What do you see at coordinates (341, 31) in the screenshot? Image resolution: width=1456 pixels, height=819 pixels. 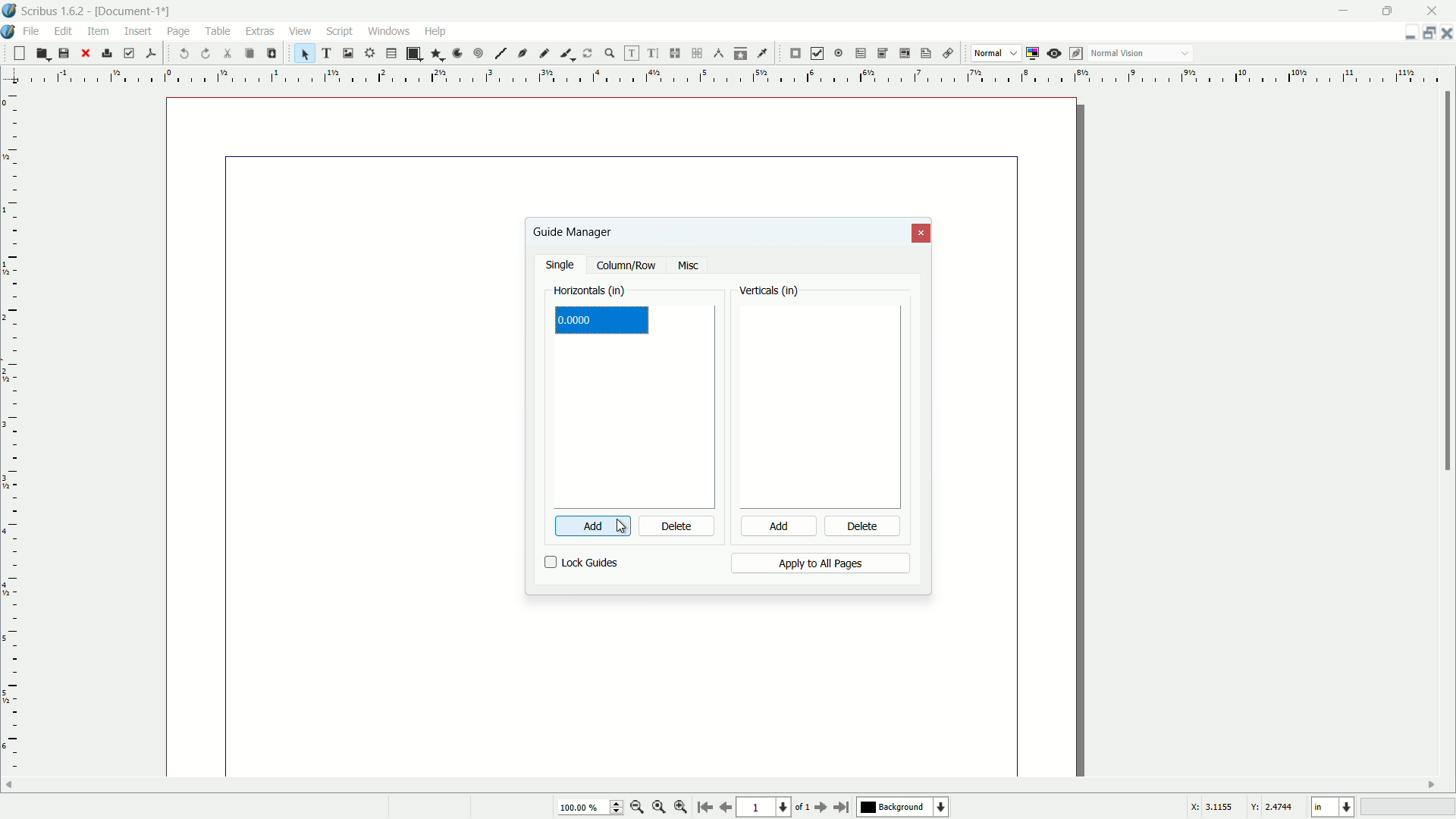 I see `script menu` at bounding box center [341, 31].